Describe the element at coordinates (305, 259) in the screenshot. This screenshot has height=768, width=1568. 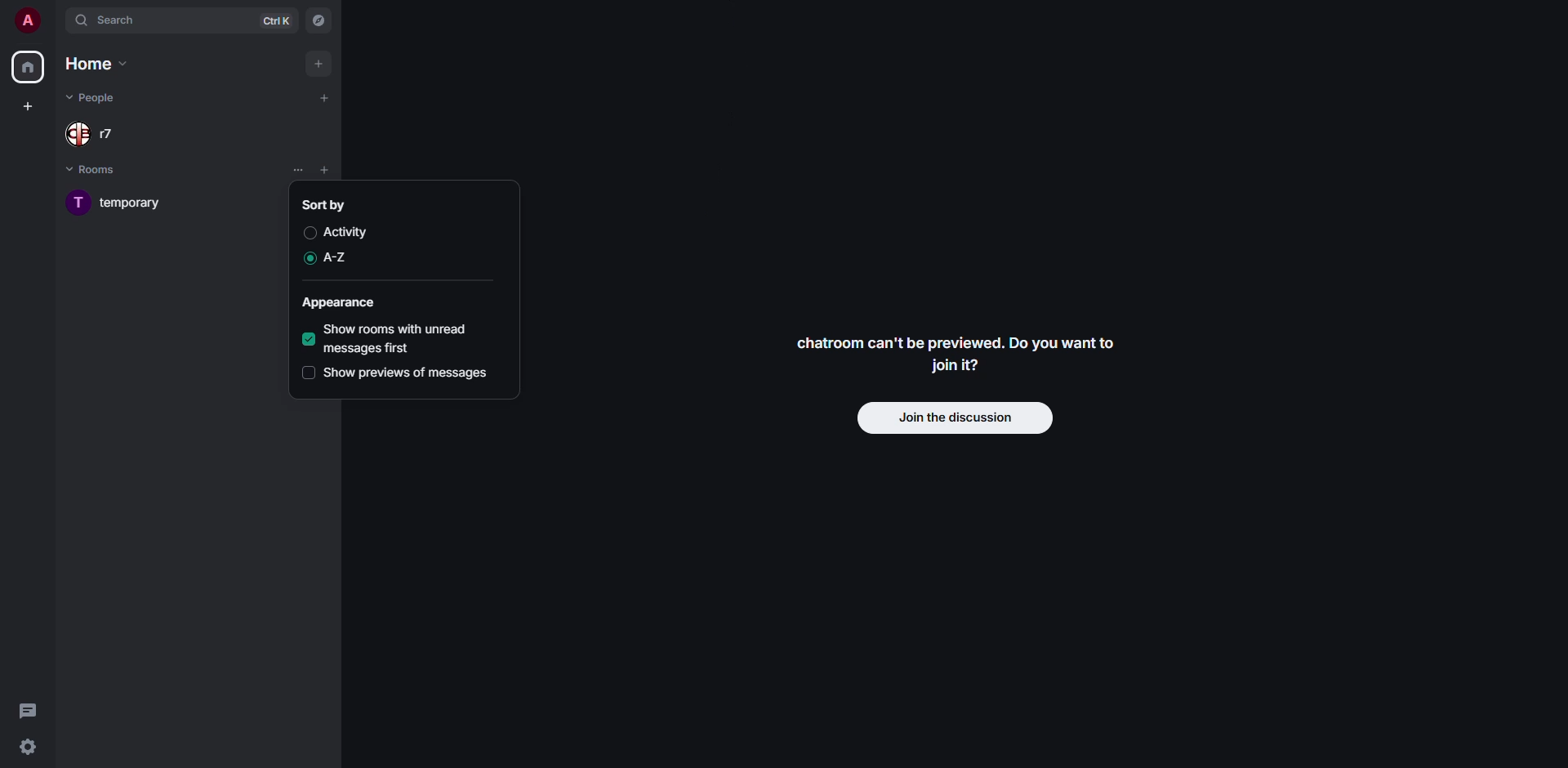
I see `enabled` at that location.